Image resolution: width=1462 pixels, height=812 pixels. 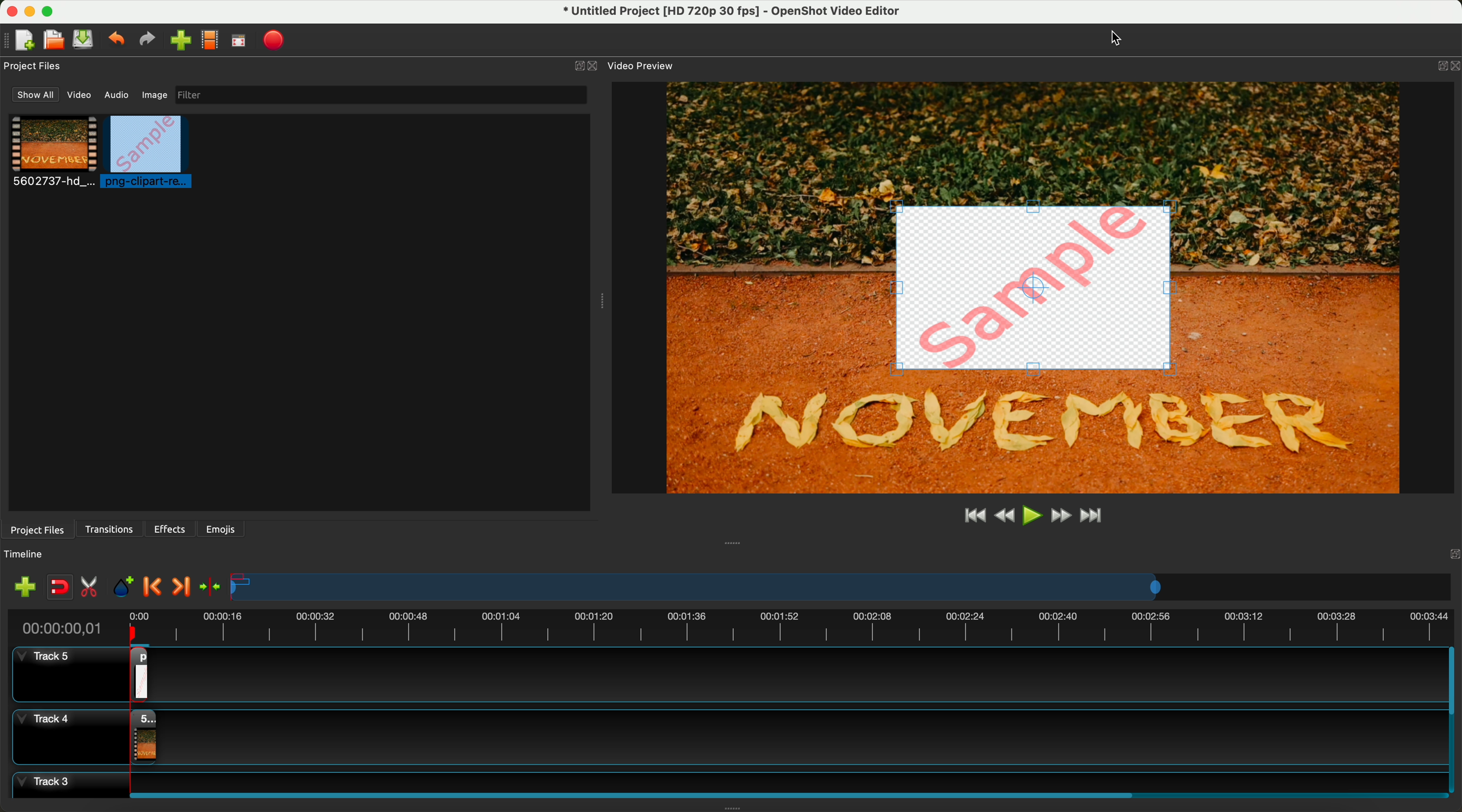 I want to click on import files, so click(x=22, y=586).